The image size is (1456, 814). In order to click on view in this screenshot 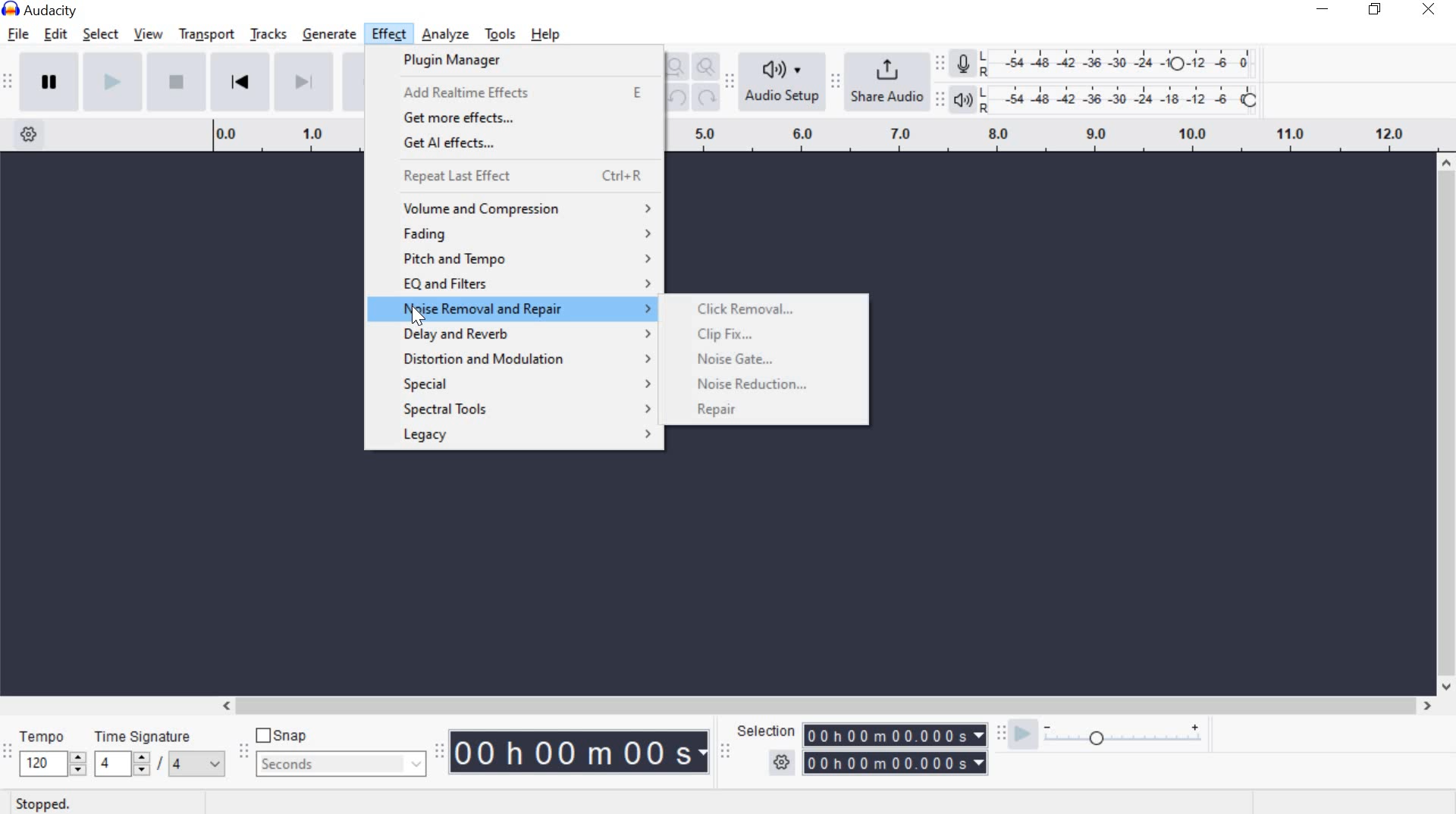, I will do `click(149, 34)`.